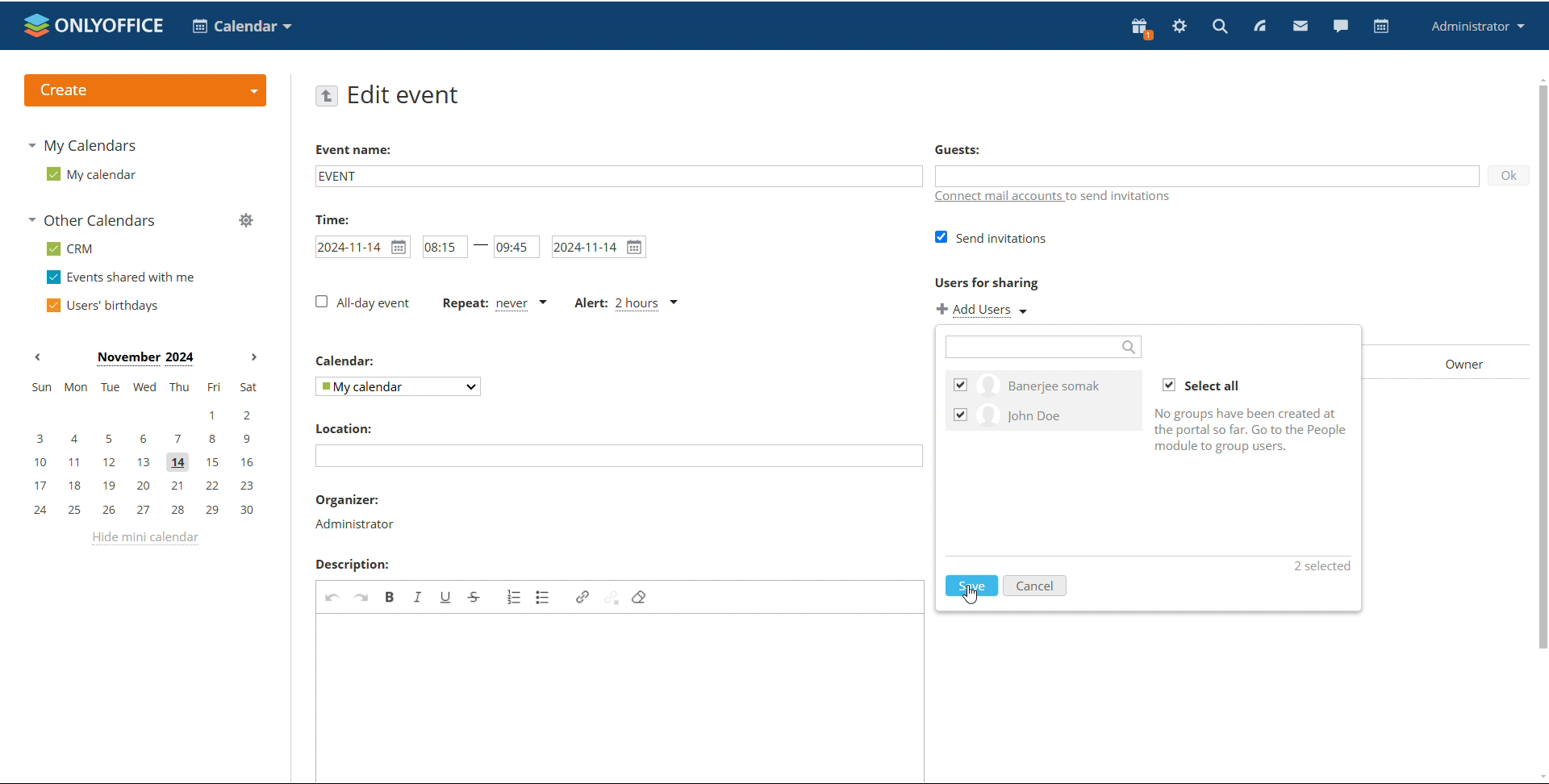 Image resolution: width=1549 pixels, height=784 pixels. Describe the element at coordinates (95, 219) in the screenshot. I see `other calendars` at that location.